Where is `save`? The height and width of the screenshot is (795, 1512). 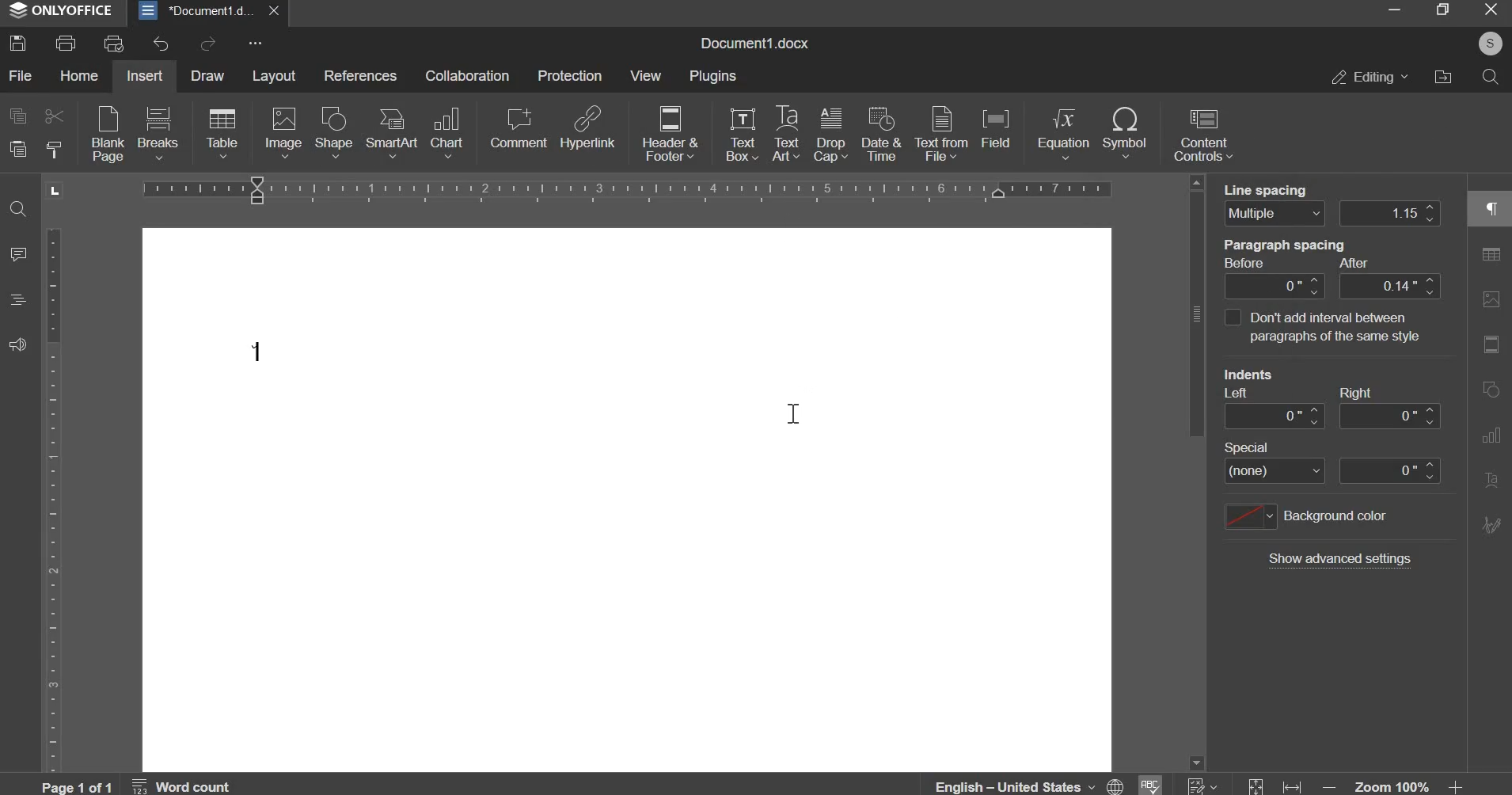
save is located at coordinates (19, 45).